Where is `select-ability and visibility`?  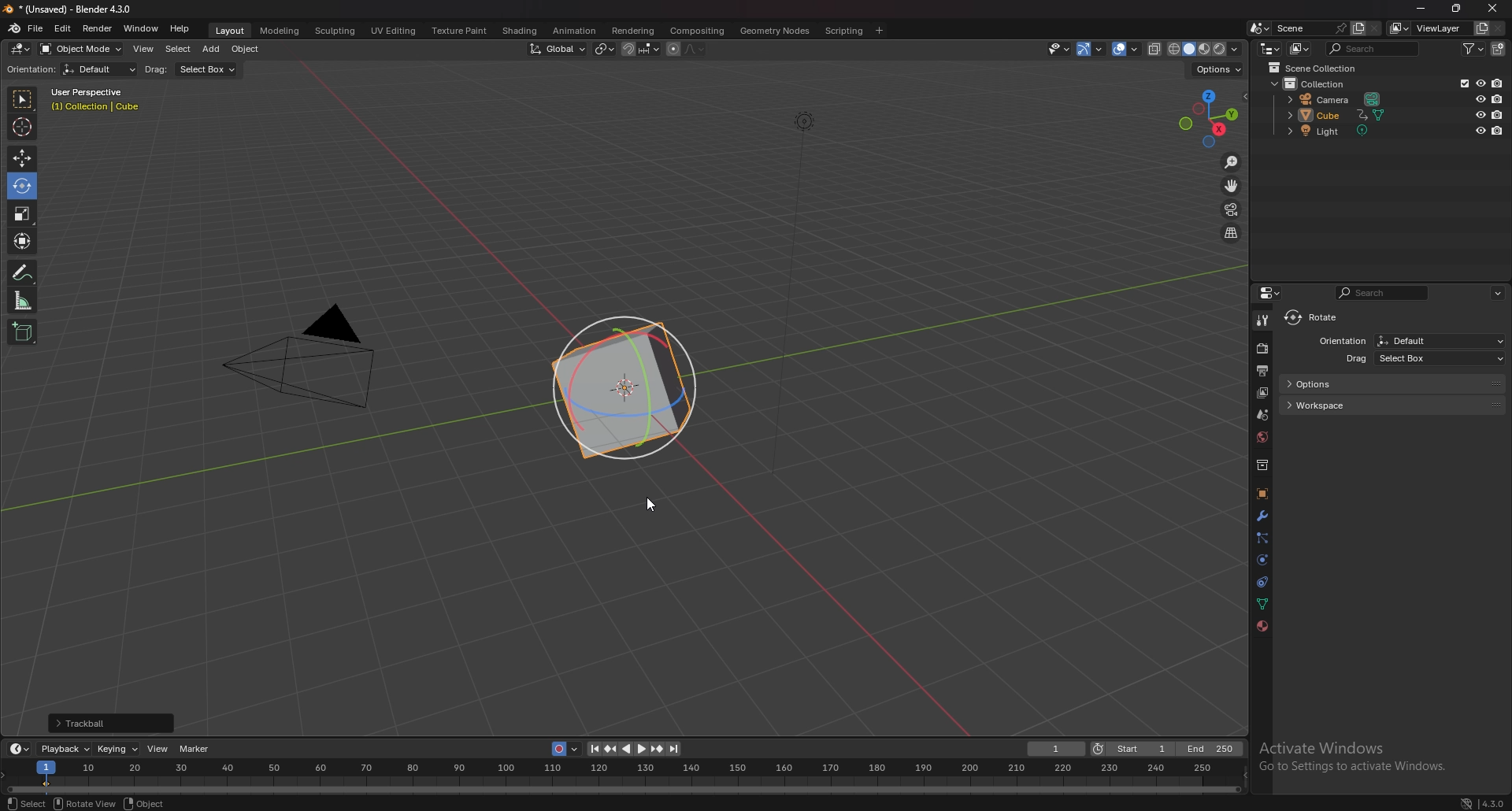
select-ability and visibility is located at coordinates (1058, 48).